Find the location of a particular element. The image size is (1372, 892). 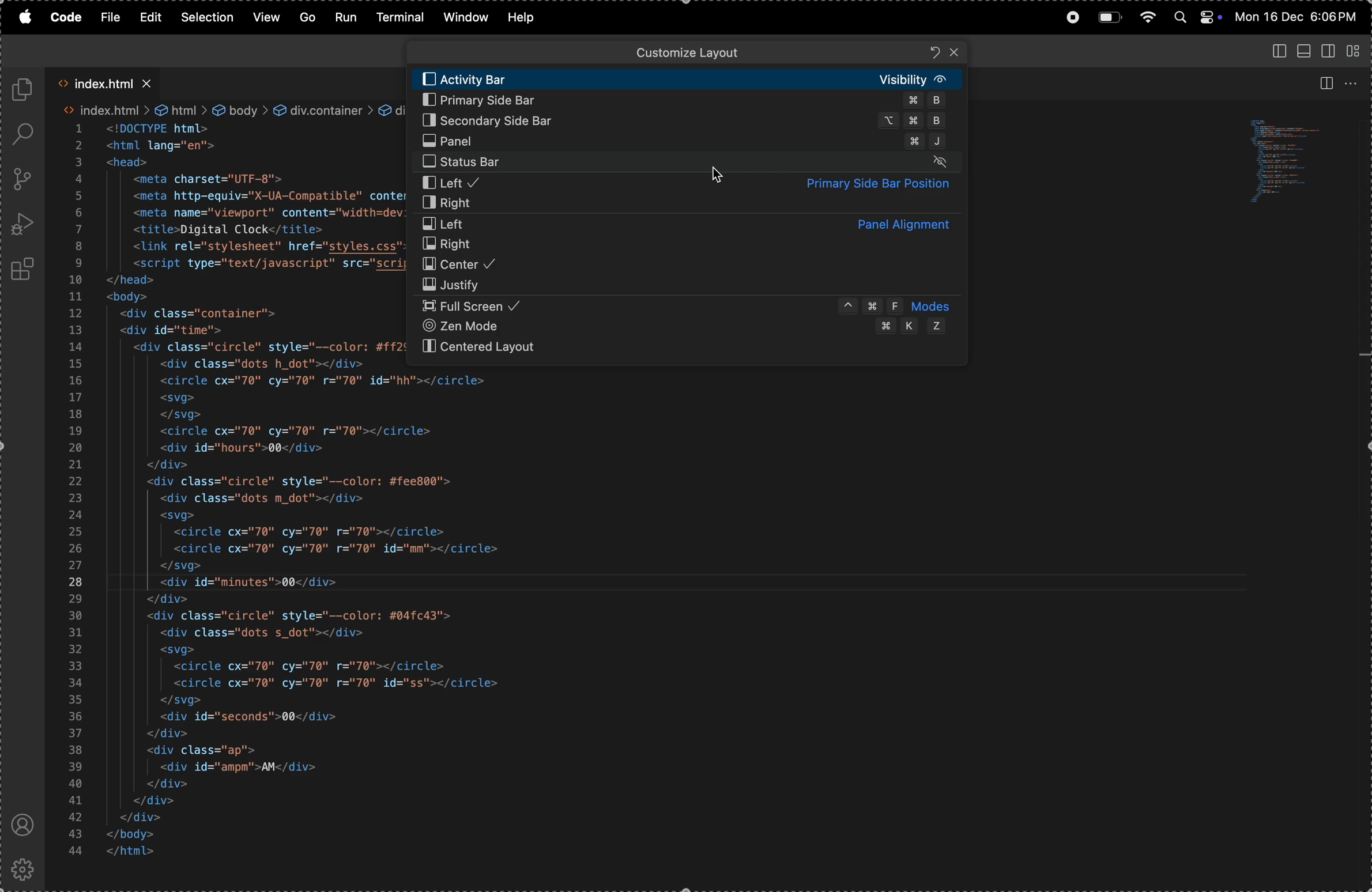

toggle panel is located at coordinates (1275, 51).